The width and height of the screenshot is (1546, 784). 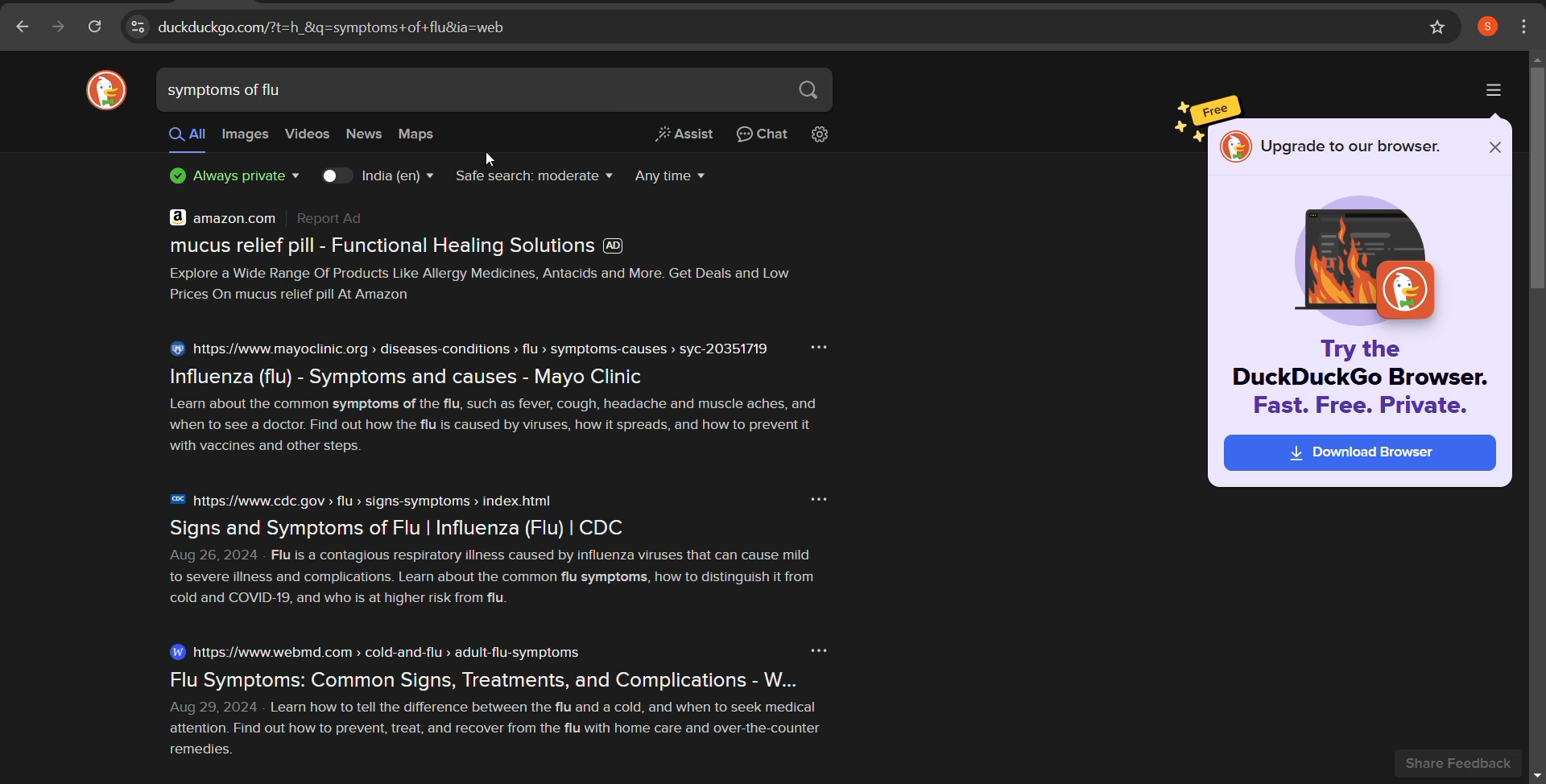 What do you see at coordinates (1370, 251) in the screenshot?
I see `download browser popup` at bounding box center [1370, 251].